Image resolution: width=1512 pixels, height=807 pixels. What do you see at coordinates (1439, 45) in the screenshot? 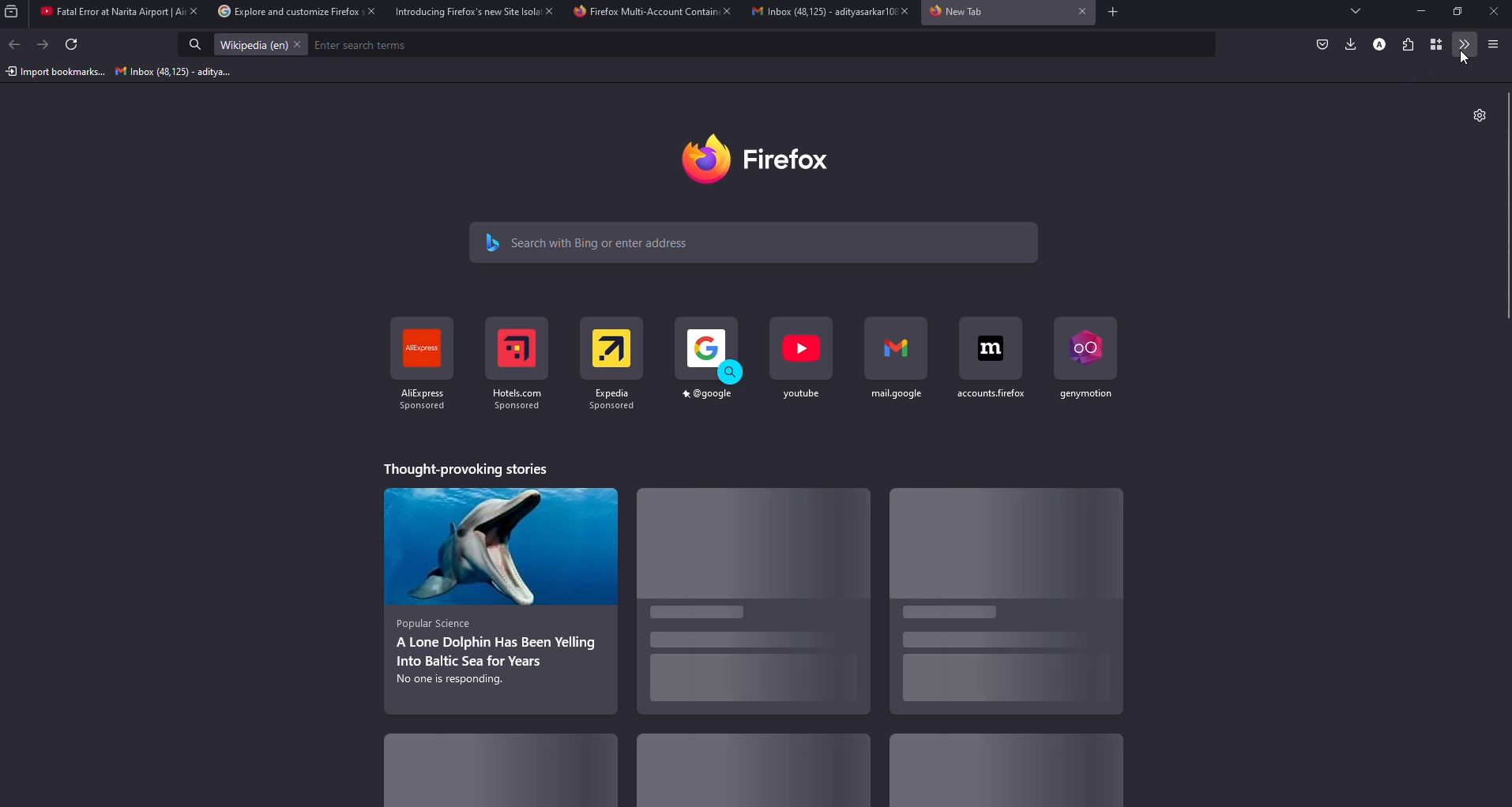
I see `container` at bounding box center [1439, 45].